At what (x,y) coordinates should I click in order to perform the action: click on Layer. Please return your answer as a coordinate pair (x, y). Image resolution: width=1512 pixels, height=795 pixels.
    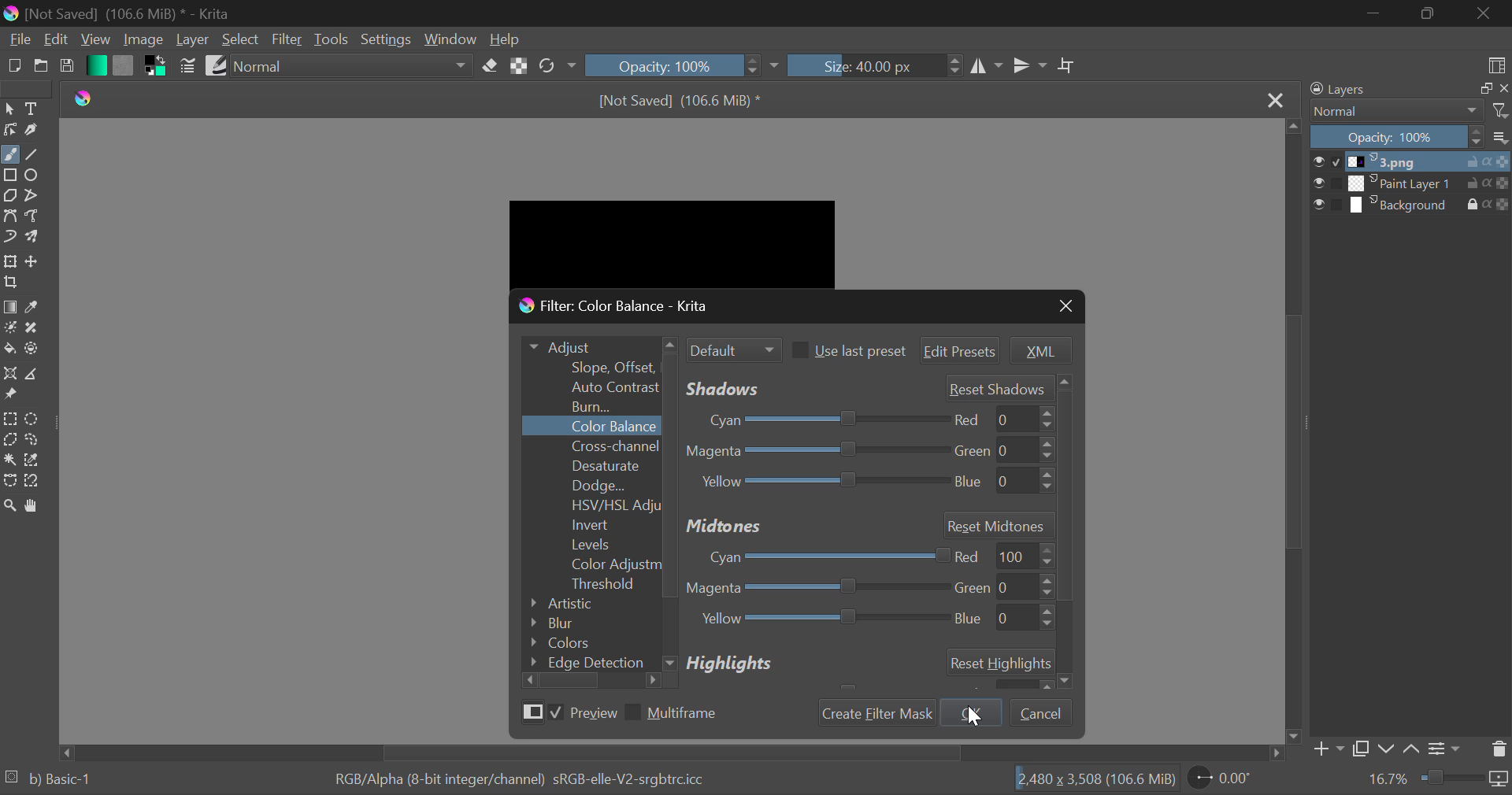
    Looking at the image, I should click on (193, 41).